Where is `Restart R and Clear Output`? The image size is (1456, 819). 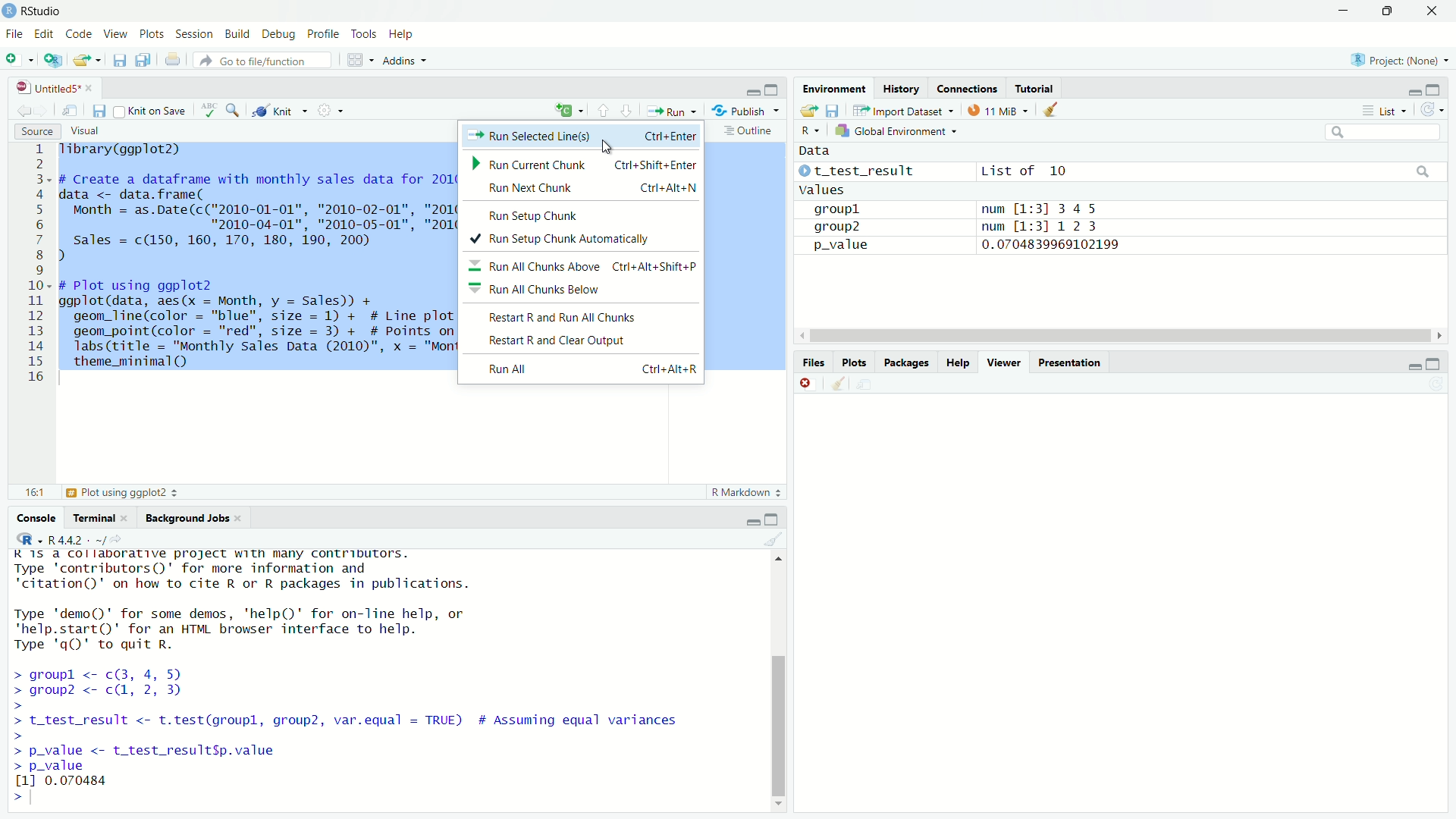
Restart R and Clear Output is located at coordinates (563, 340).